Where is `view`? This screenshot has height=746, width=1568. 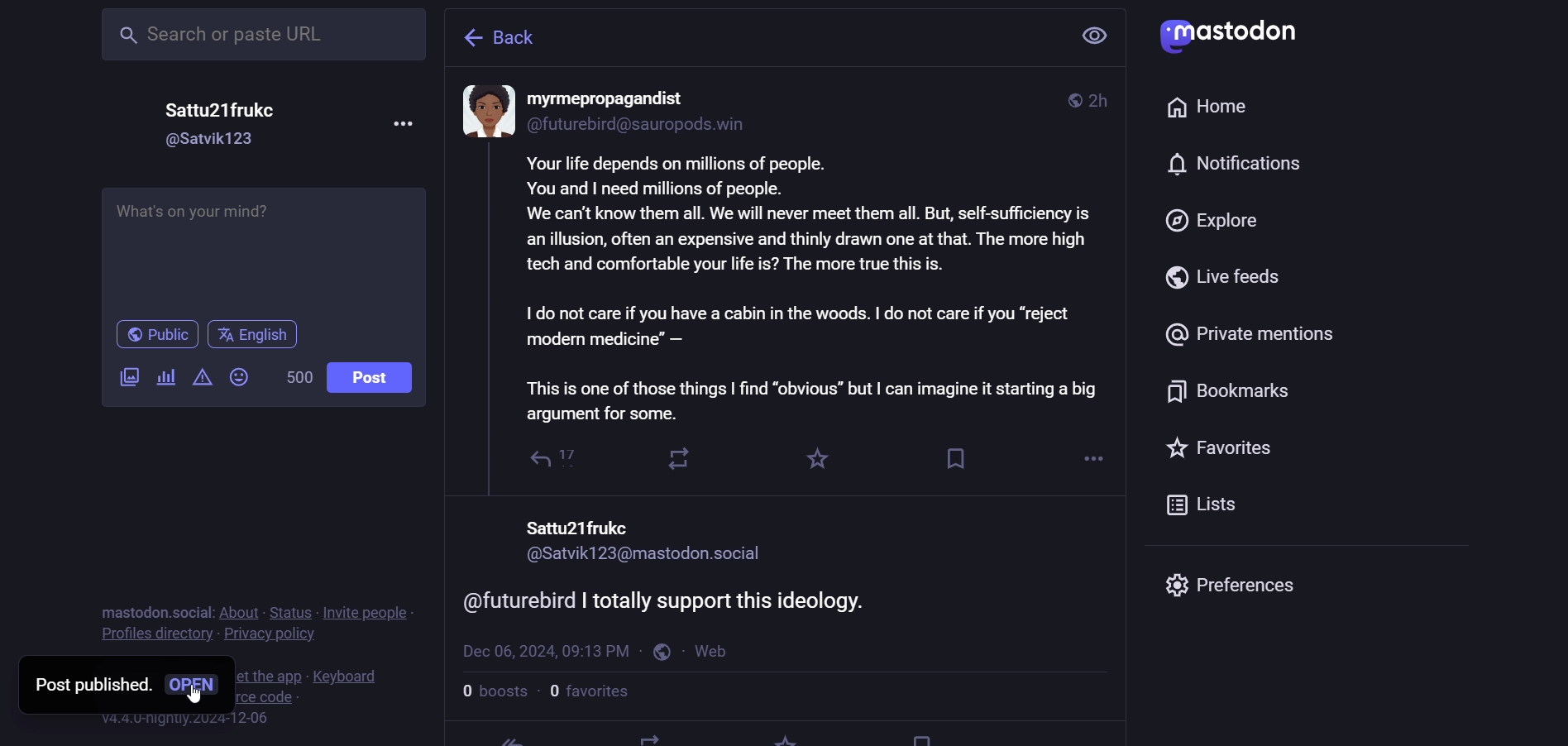
view is located at coordinates (1099, 36).